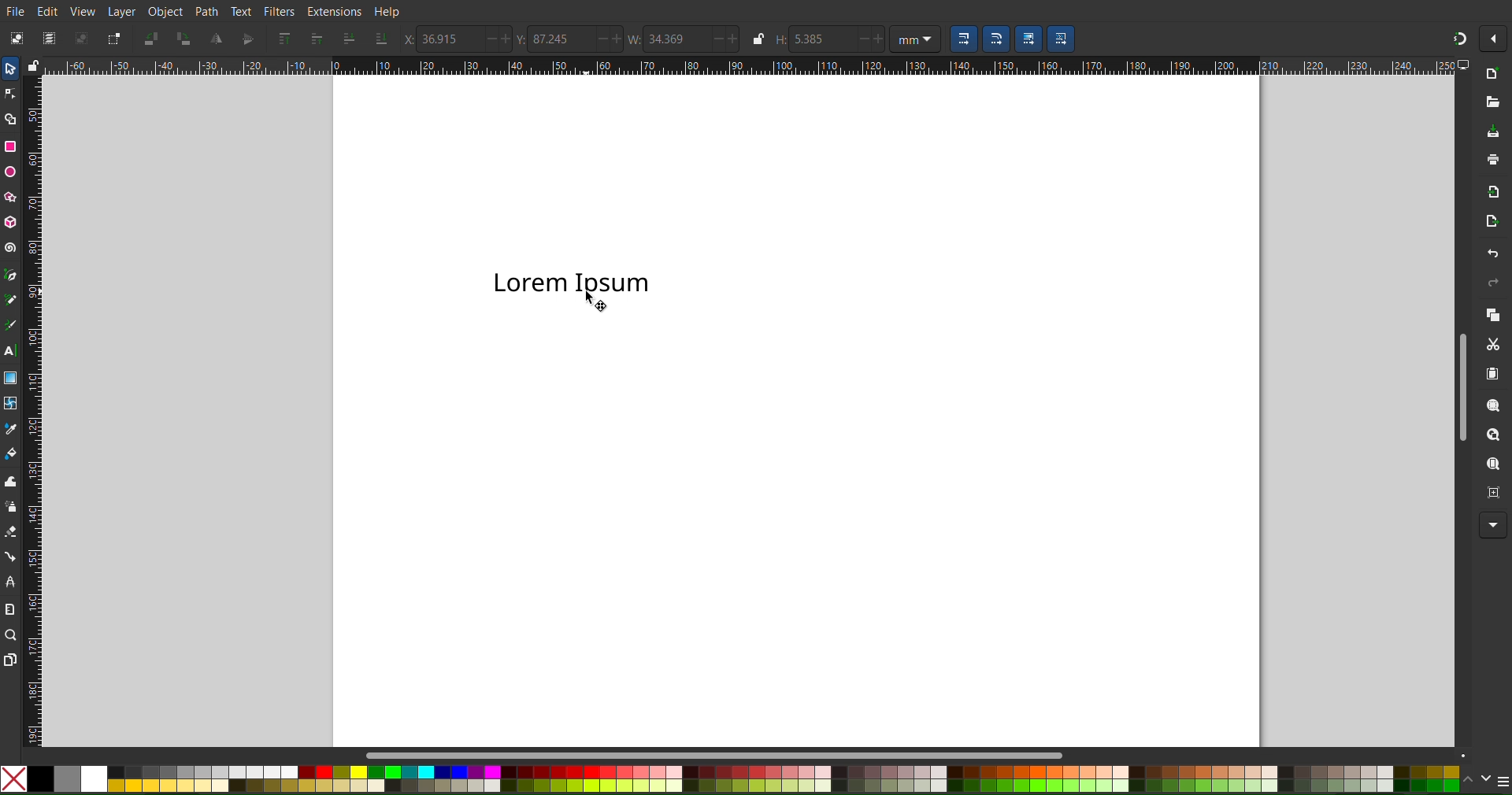 This screenshot has width=1512, height=795. Describe the element at coordinates (113, 39) in the screenshot. I see `Toggle Selection Box` at that location.